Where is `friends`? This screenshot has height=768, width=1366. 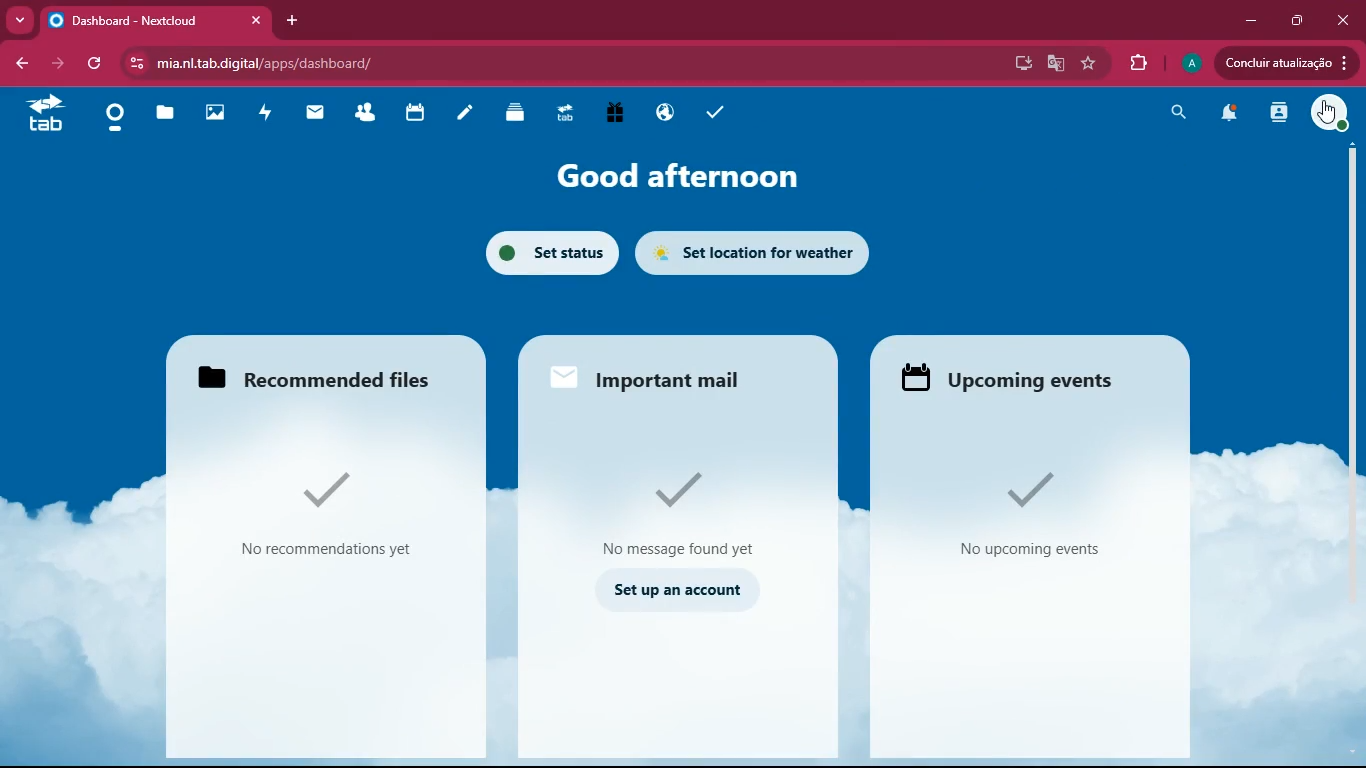
friends is located at coordinates (371, 115).